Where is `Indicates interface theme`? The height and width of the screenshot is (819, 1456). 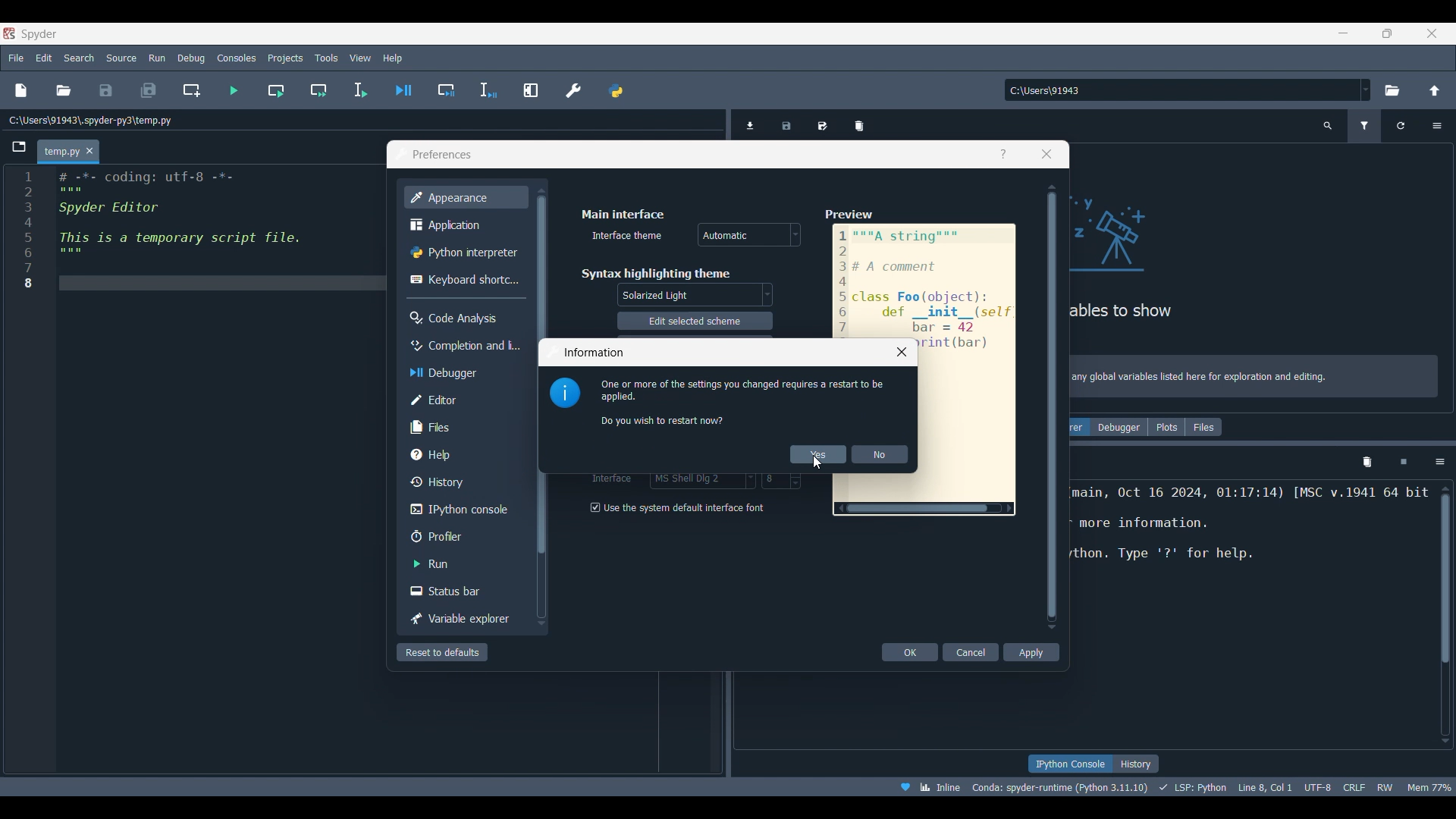 Indicates interface theme is located at coordinates (628, 235).